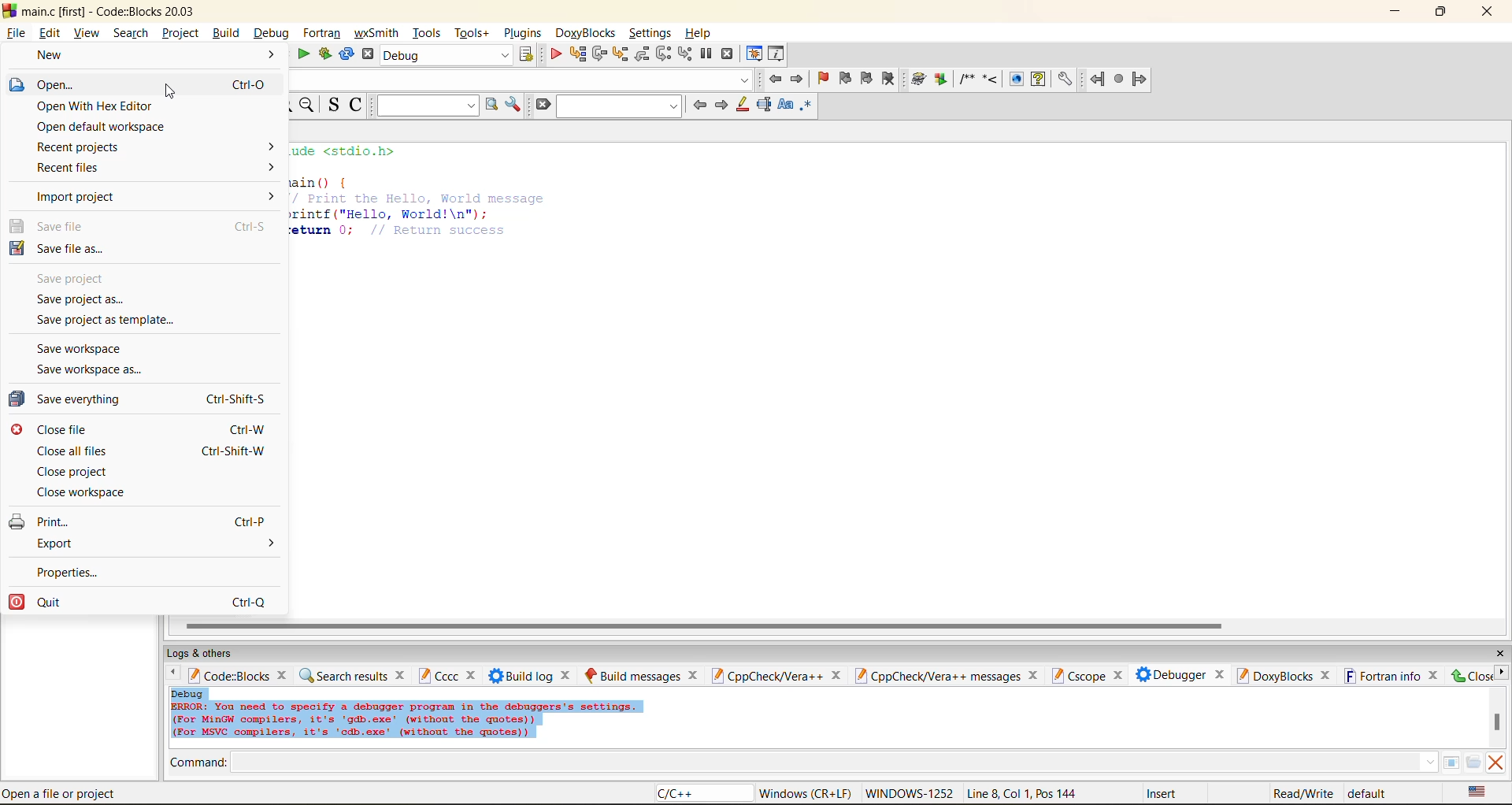  I want to click on highlight, so click(741, 106).